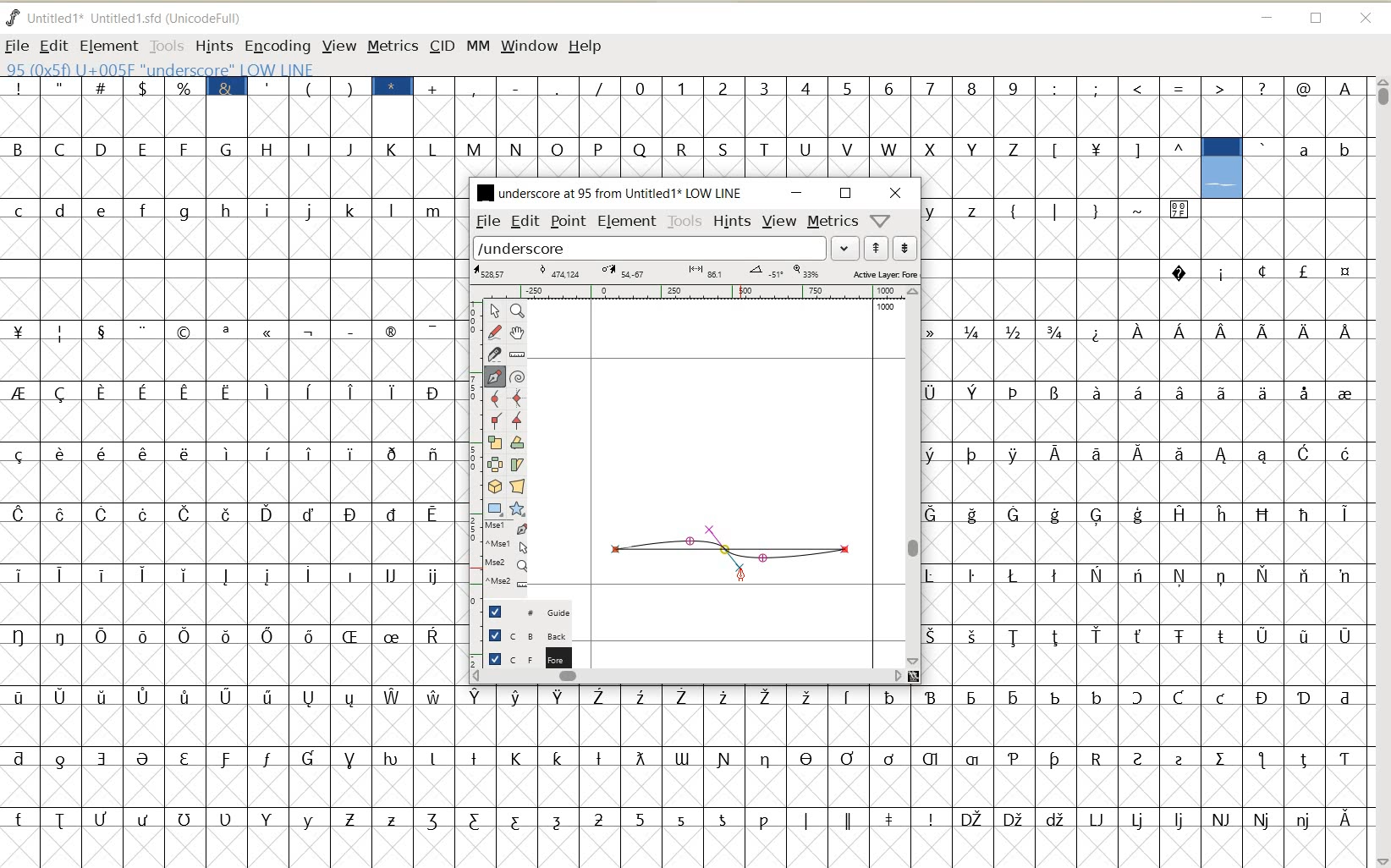 Image resolution: width=1391 pixels, height=868 pixels. Describe the element at coordinates (914, 477) in the screenshot. I see `SCROLLBAR` at that location.